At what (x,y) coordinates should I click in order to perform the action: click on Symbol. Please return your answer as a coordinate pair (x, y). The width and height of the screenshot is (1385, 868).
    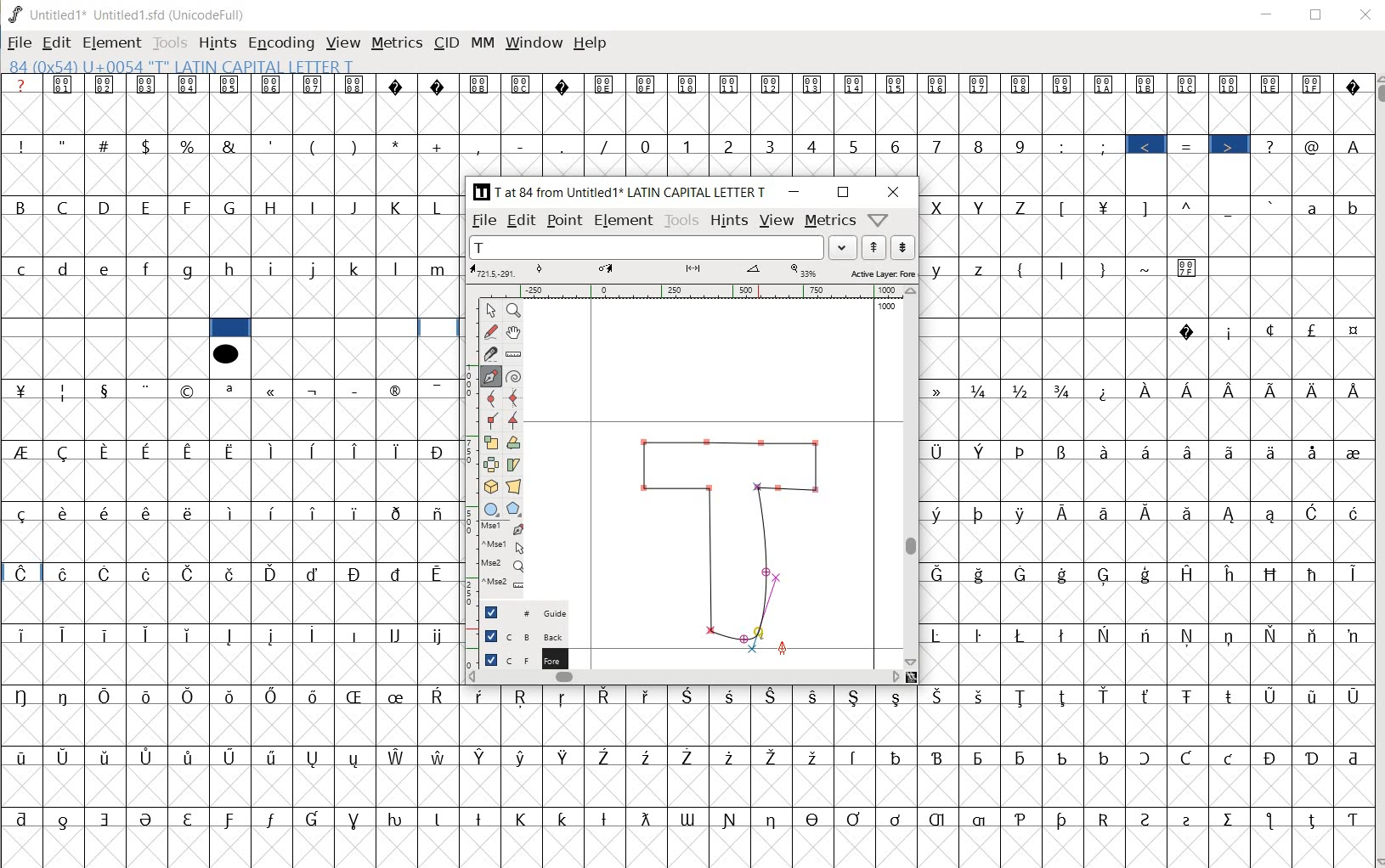
    Looking at the image, I should click on (982, 390).